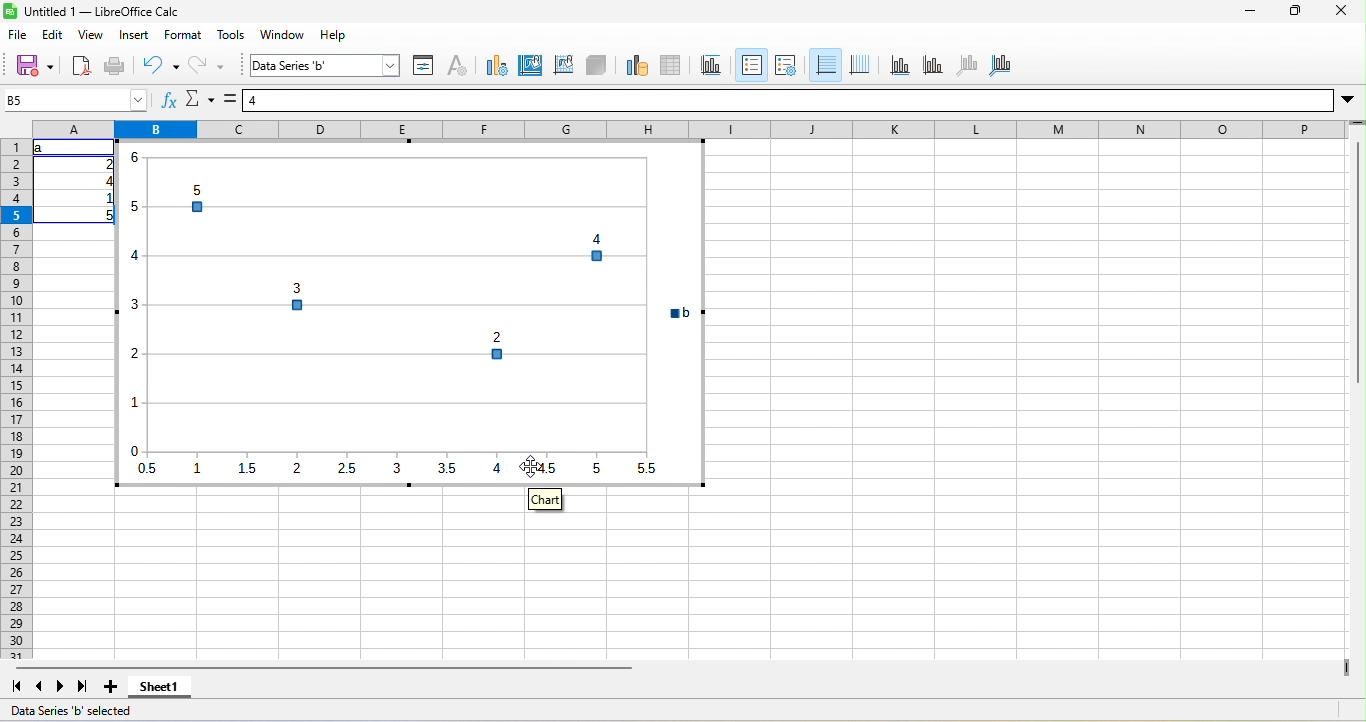 This screenshot has height=722, width=1366. What do you see at coordinates (457, 67) in the screenshot?
I see `character` at bounding box center [457, 67].